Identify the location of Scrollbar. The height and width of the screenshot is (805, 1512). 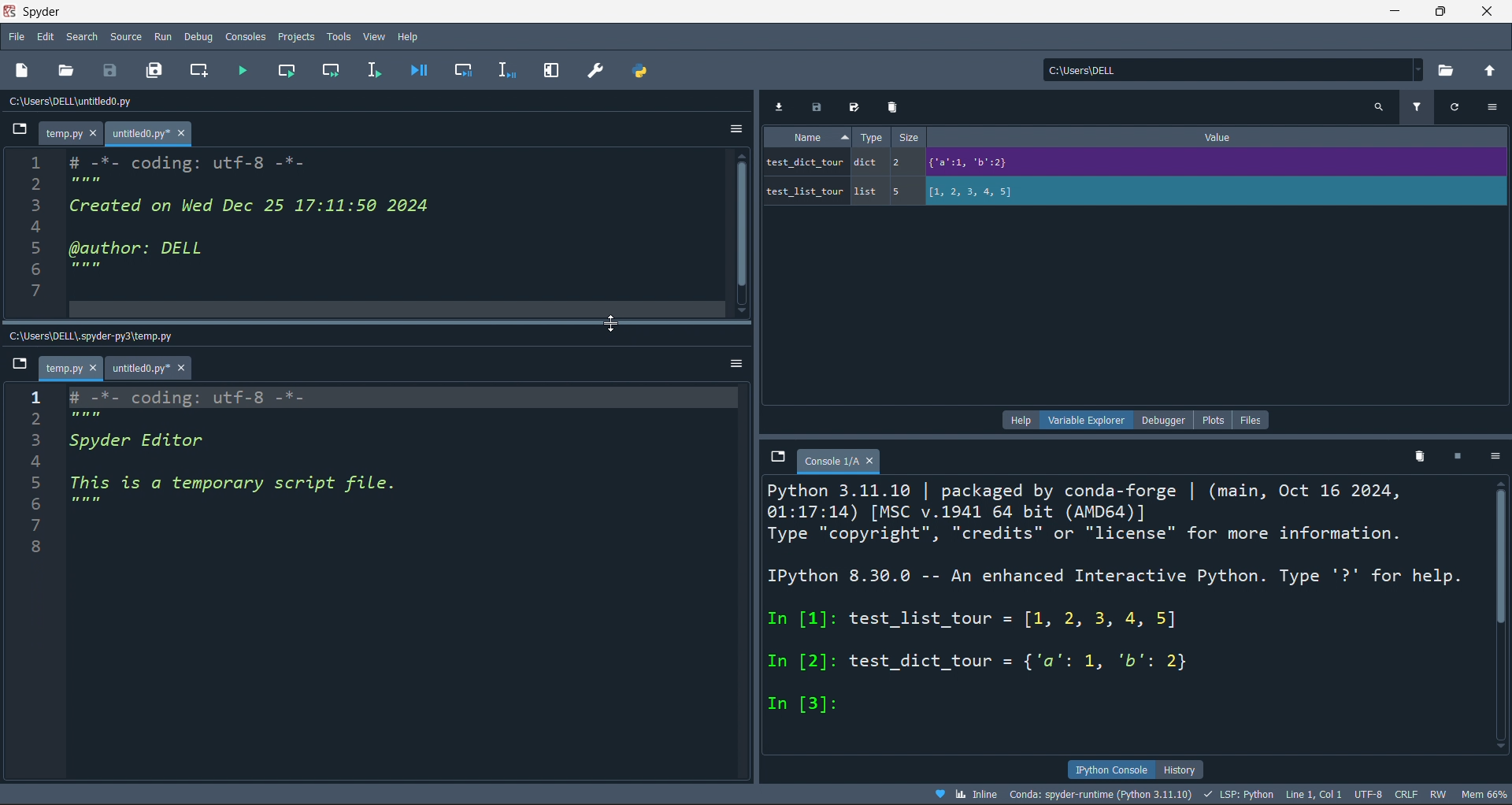
(1503, 607).